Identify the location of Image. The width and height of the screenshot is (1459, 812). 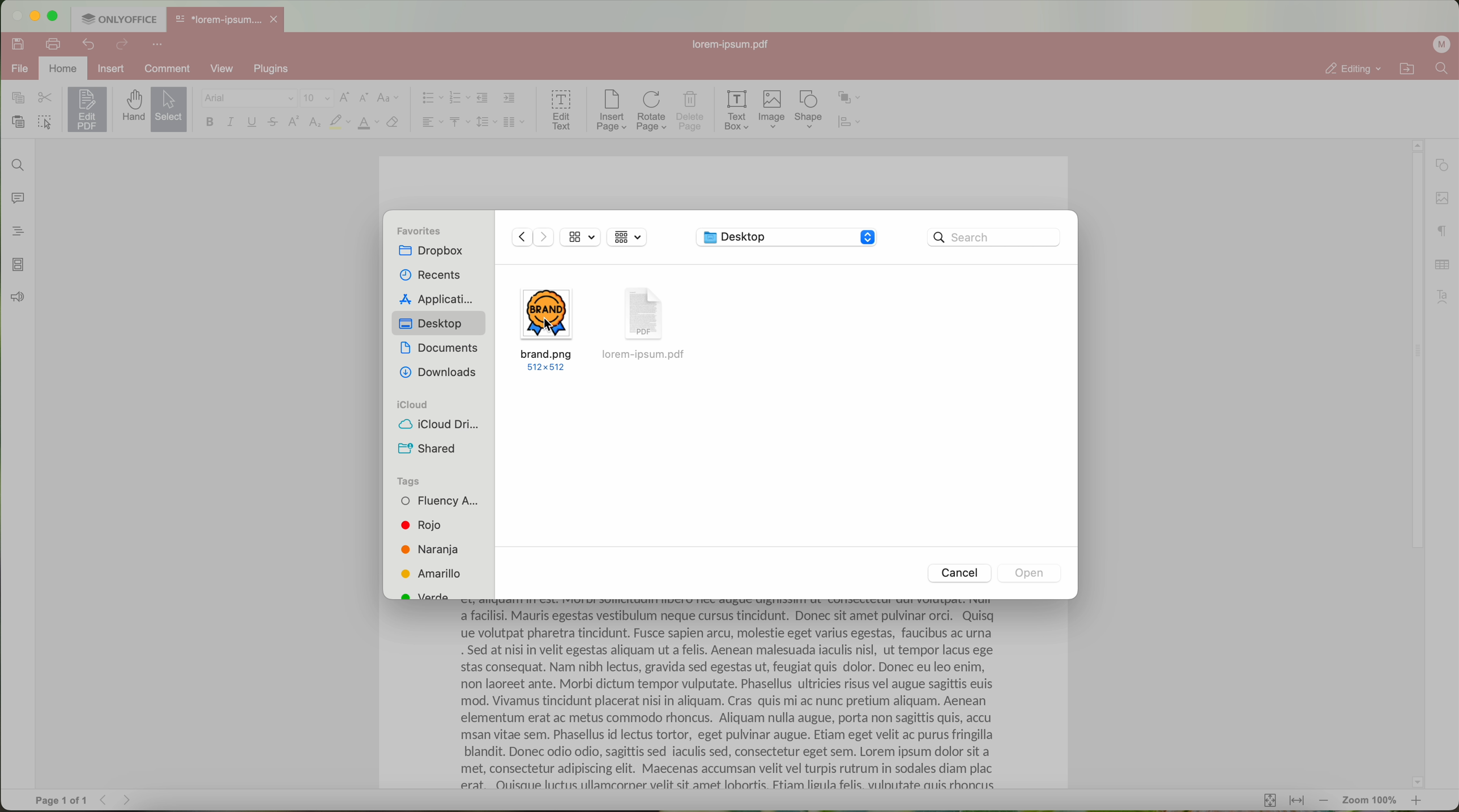
(773, 110).